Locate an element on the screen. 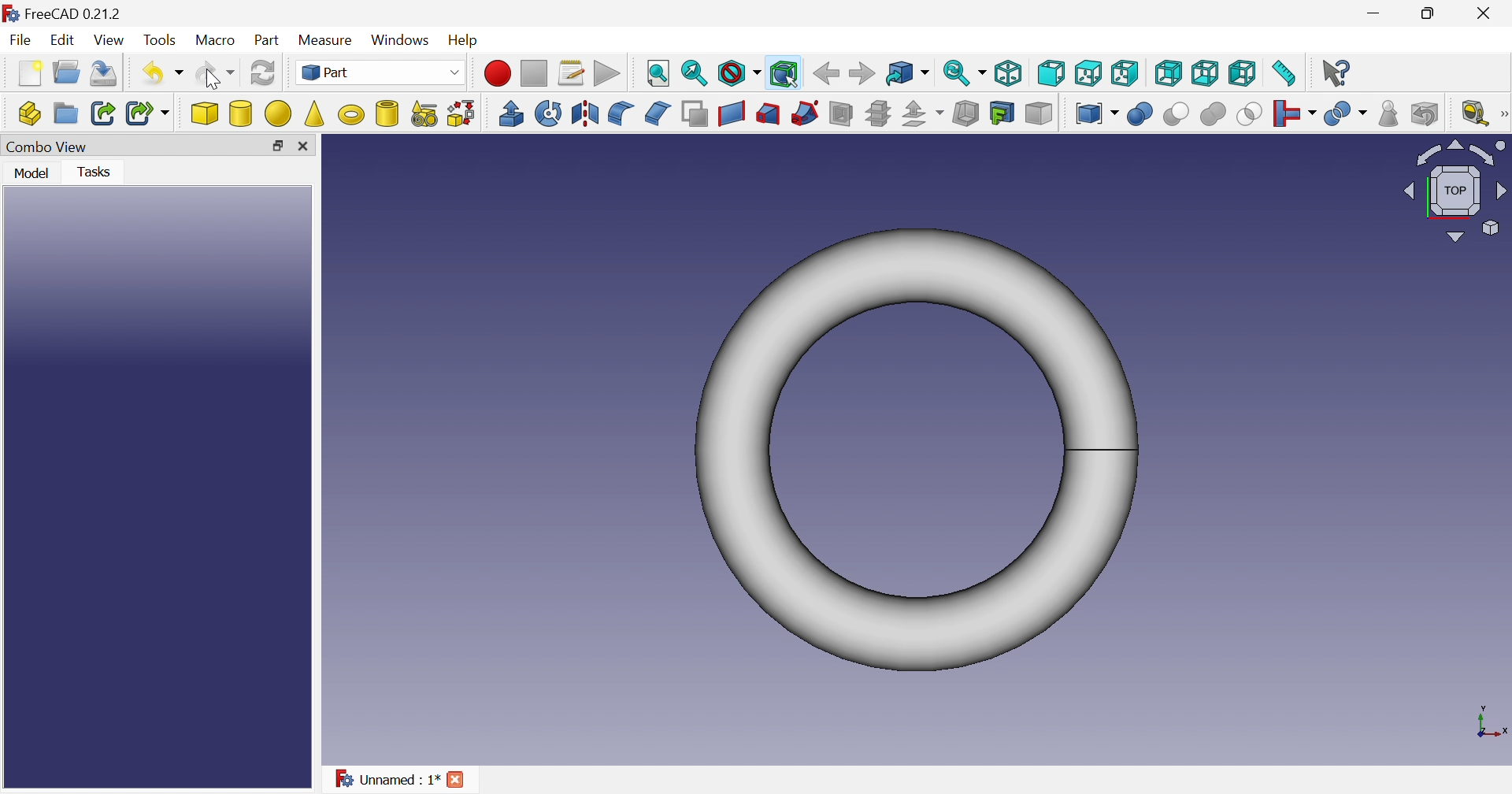  Union is located at coordinates (1213, 114).